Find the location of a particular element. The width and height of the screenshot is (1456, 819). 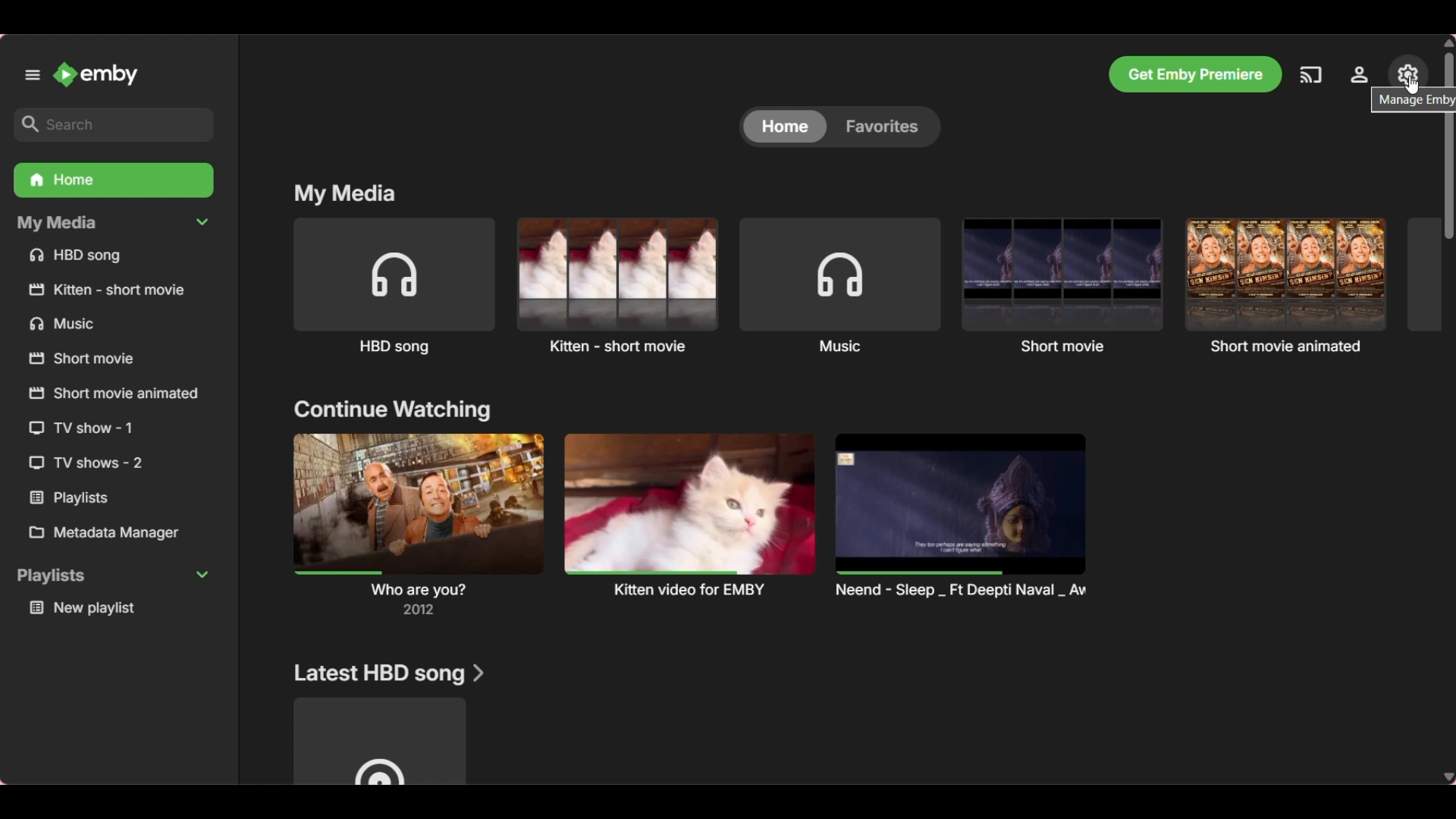

Short movie is located at coordinates (115, 358).